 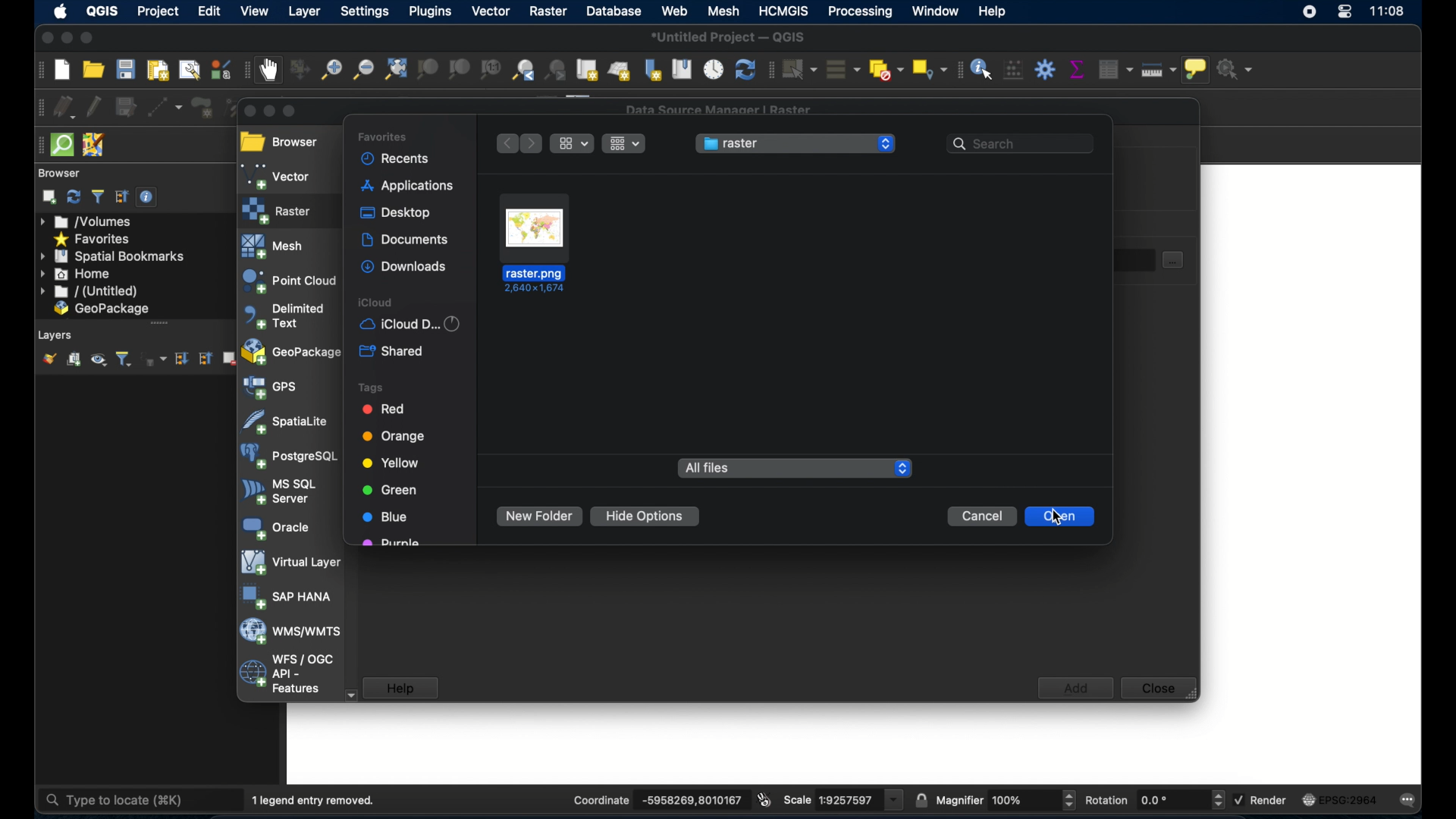 What do you see at coordinates (66, 38) in the screenshot?
I see `minimize` at bounding box center [66, 38].